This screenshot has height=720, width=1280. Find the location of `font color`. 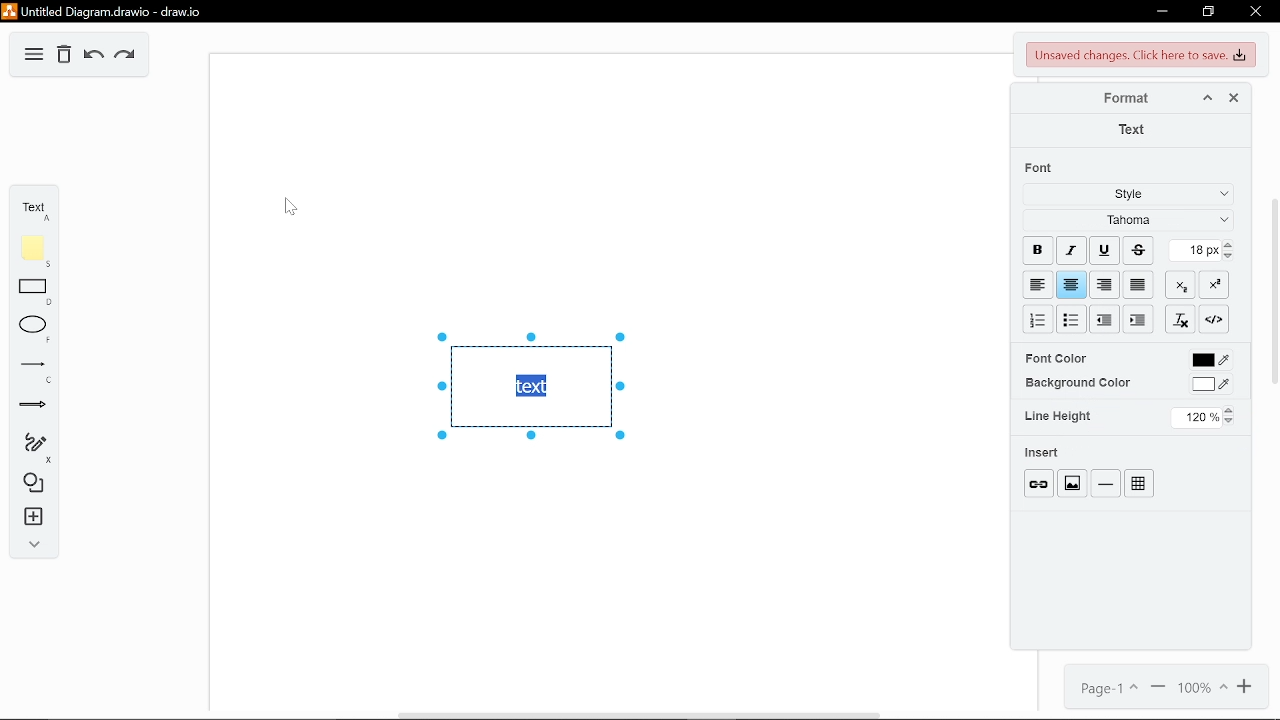

font color is located at coordinates (1055, 358).